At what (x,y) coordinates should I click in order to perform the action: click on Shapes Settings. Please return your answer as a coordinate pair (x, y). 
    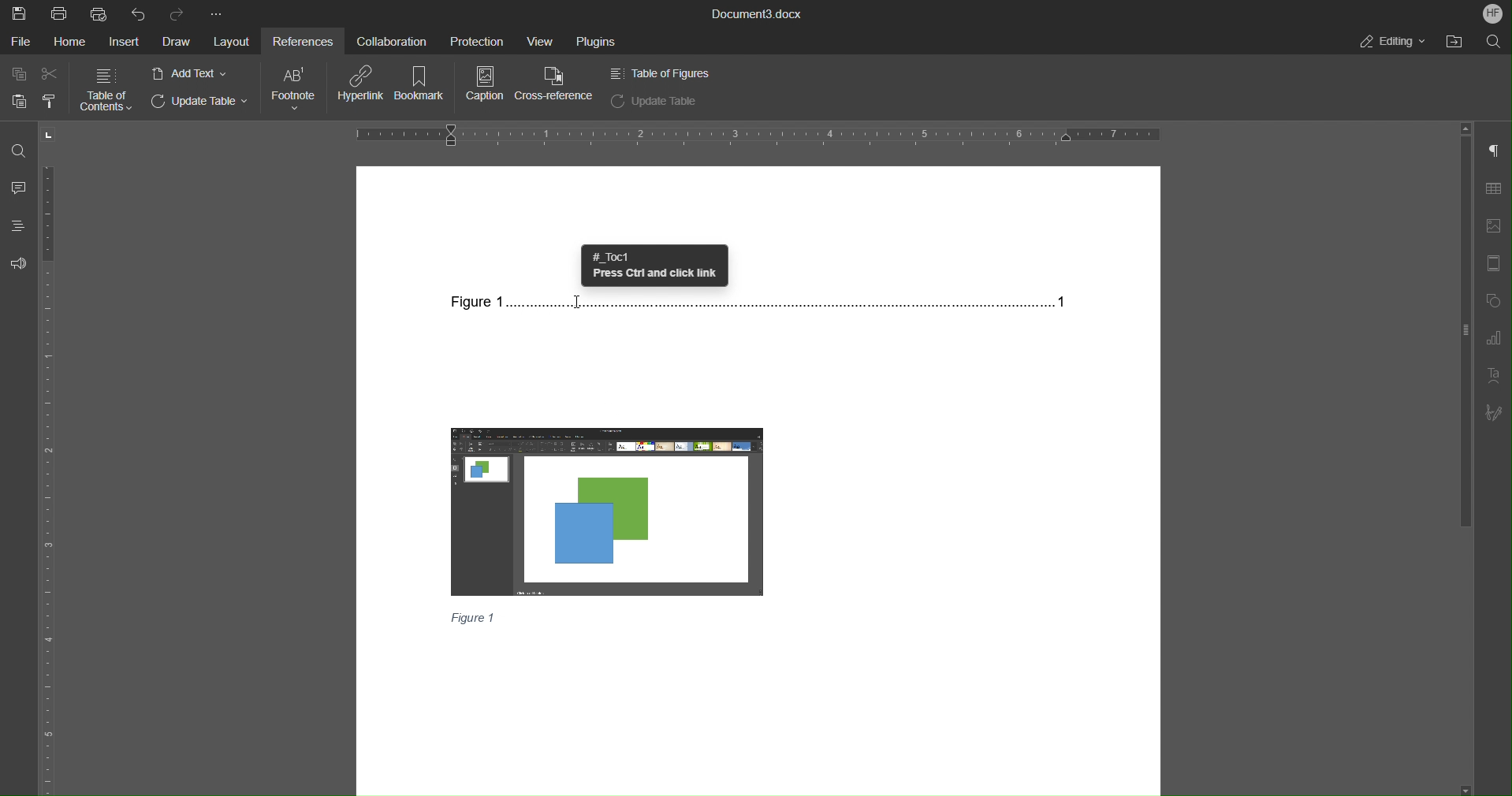
    Looking at the image, I should click on (1495, 303).